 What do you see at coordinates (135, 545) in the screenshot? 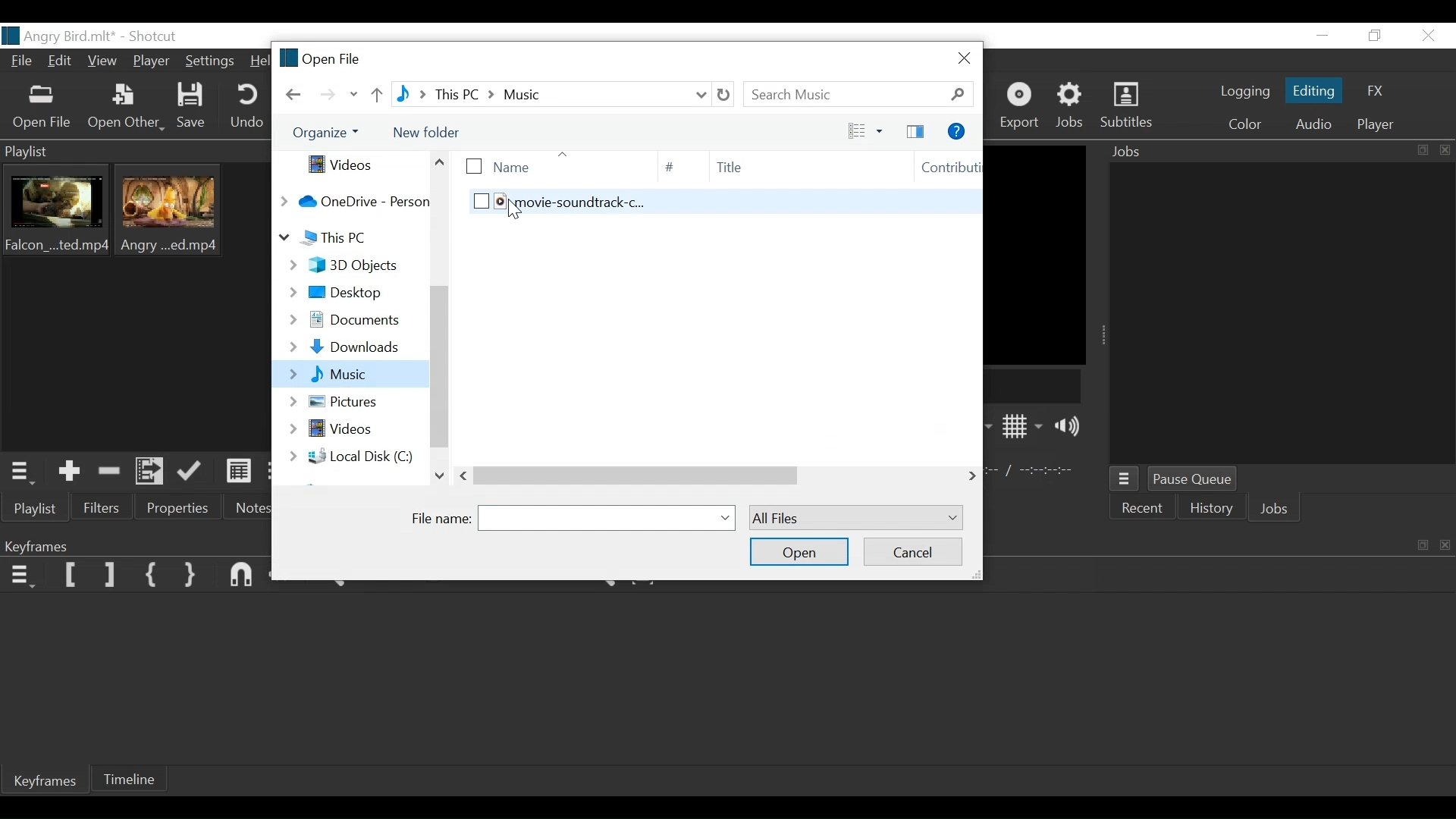
I see `Keyframe Panel` at bounding box center [135, 545].